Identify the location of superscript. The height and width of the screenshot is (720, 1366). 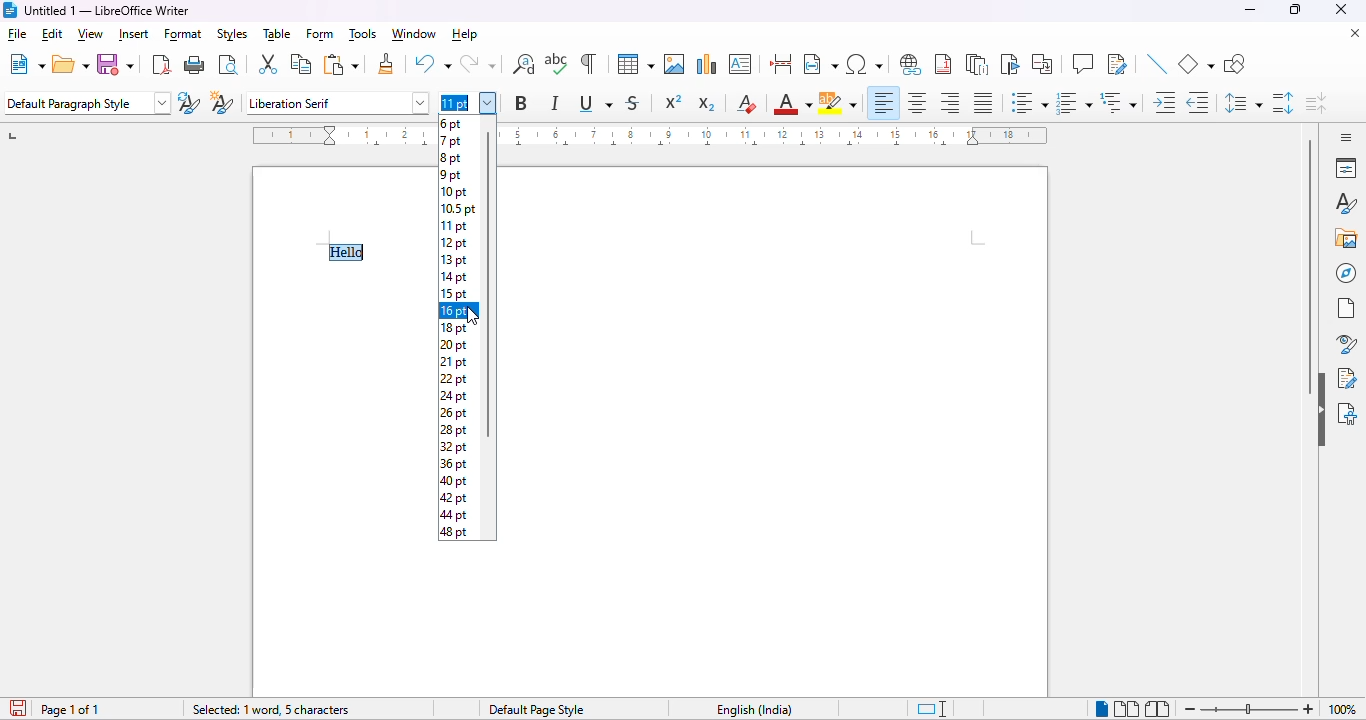
(673, 103).